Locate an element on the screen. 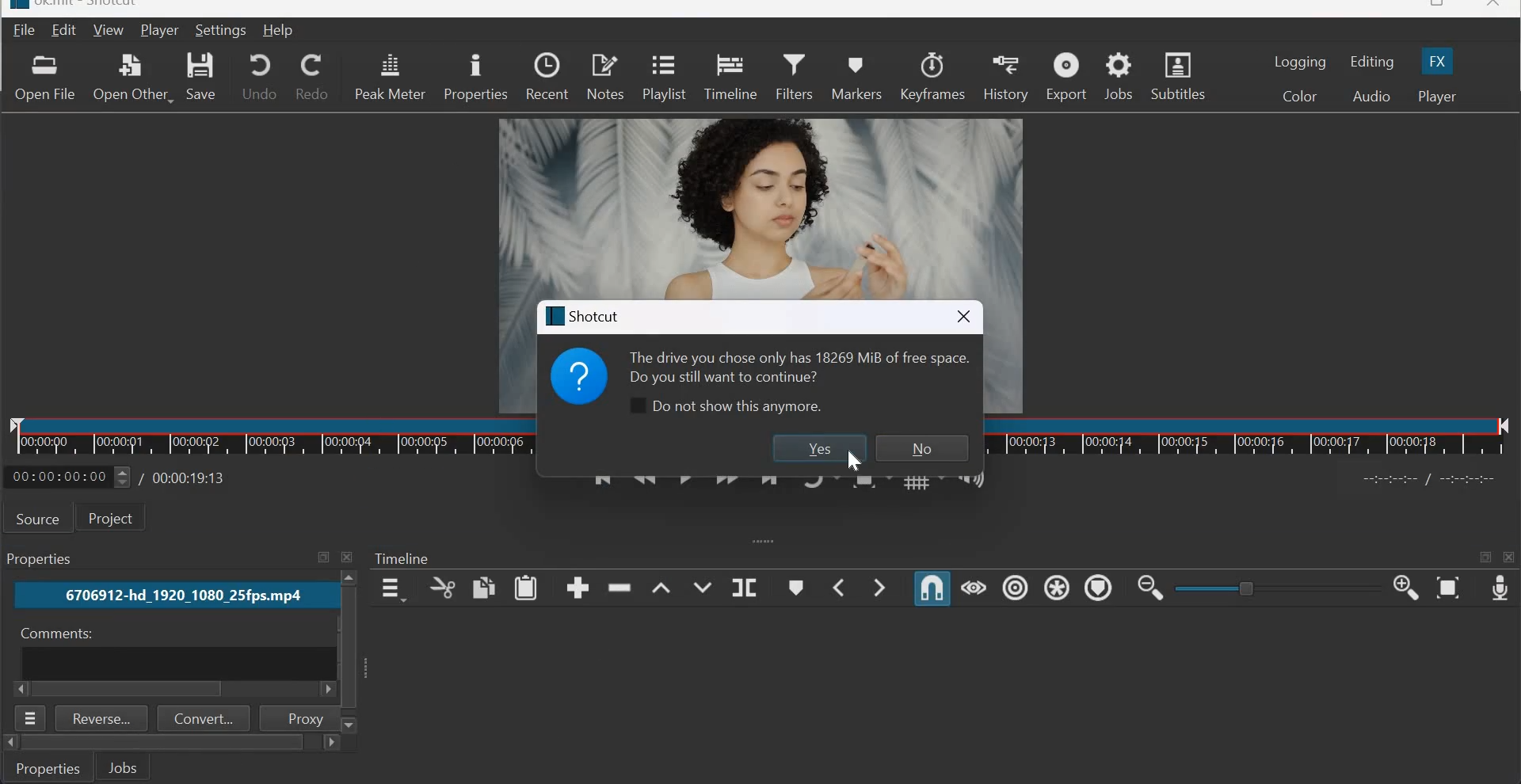 The width and height of the screenshot is (1521, 784). current position is located at coordinates (68, 477).